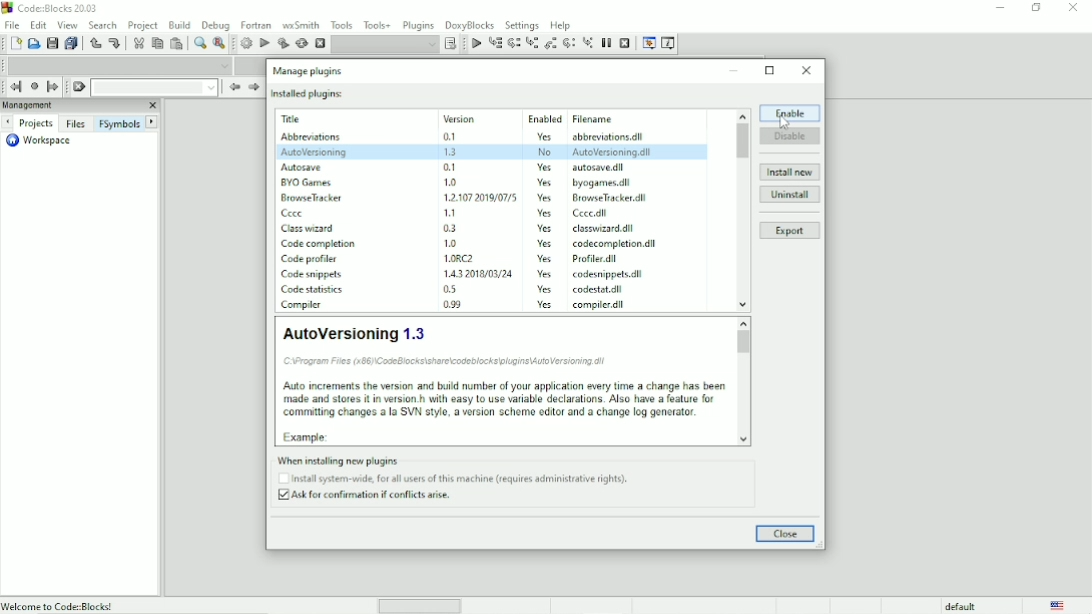 This screenshot has height=614, width=1092. I want to click on Build, so click(179, 25).